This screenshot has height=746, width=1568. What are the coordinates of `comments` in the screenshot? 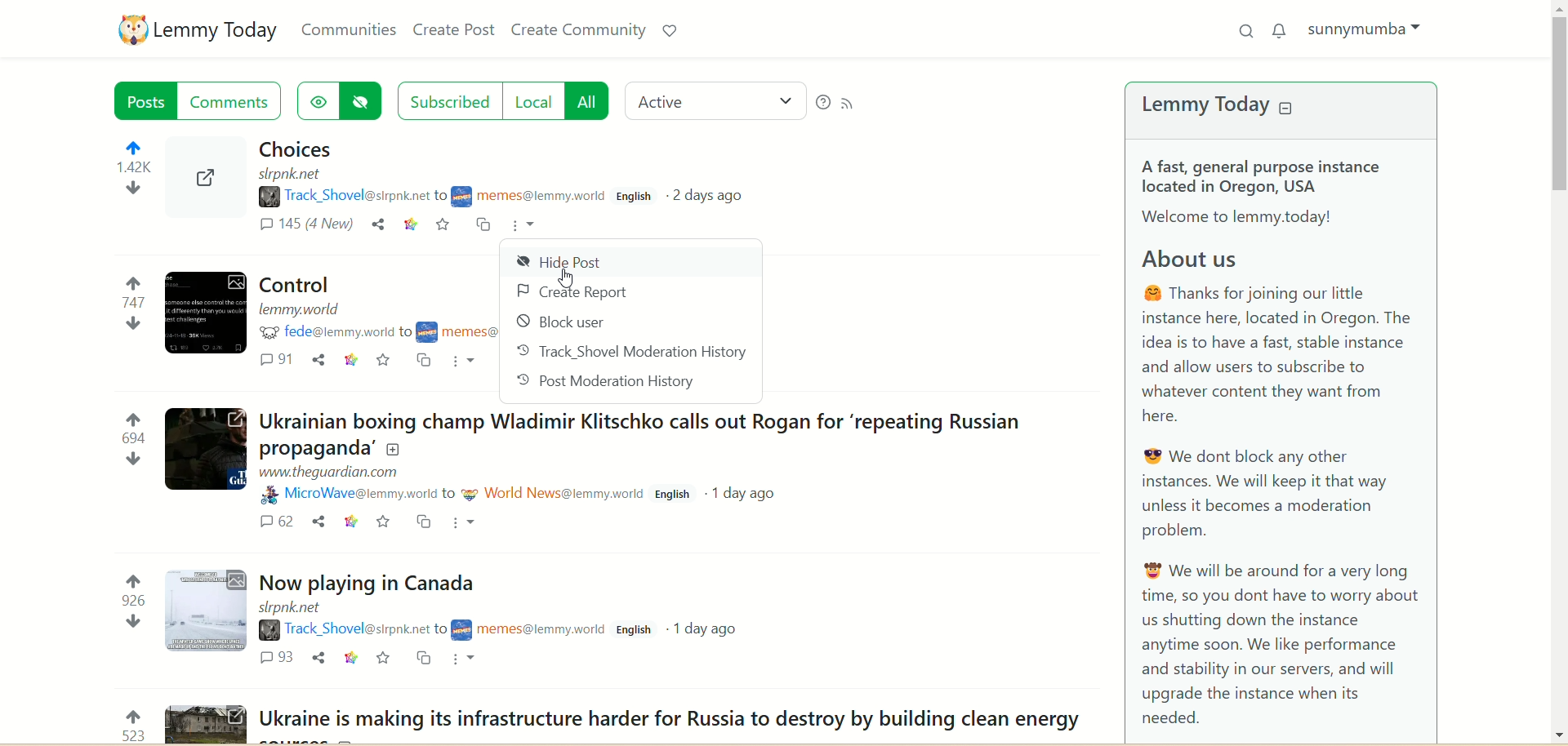 It's located at (278, 362).